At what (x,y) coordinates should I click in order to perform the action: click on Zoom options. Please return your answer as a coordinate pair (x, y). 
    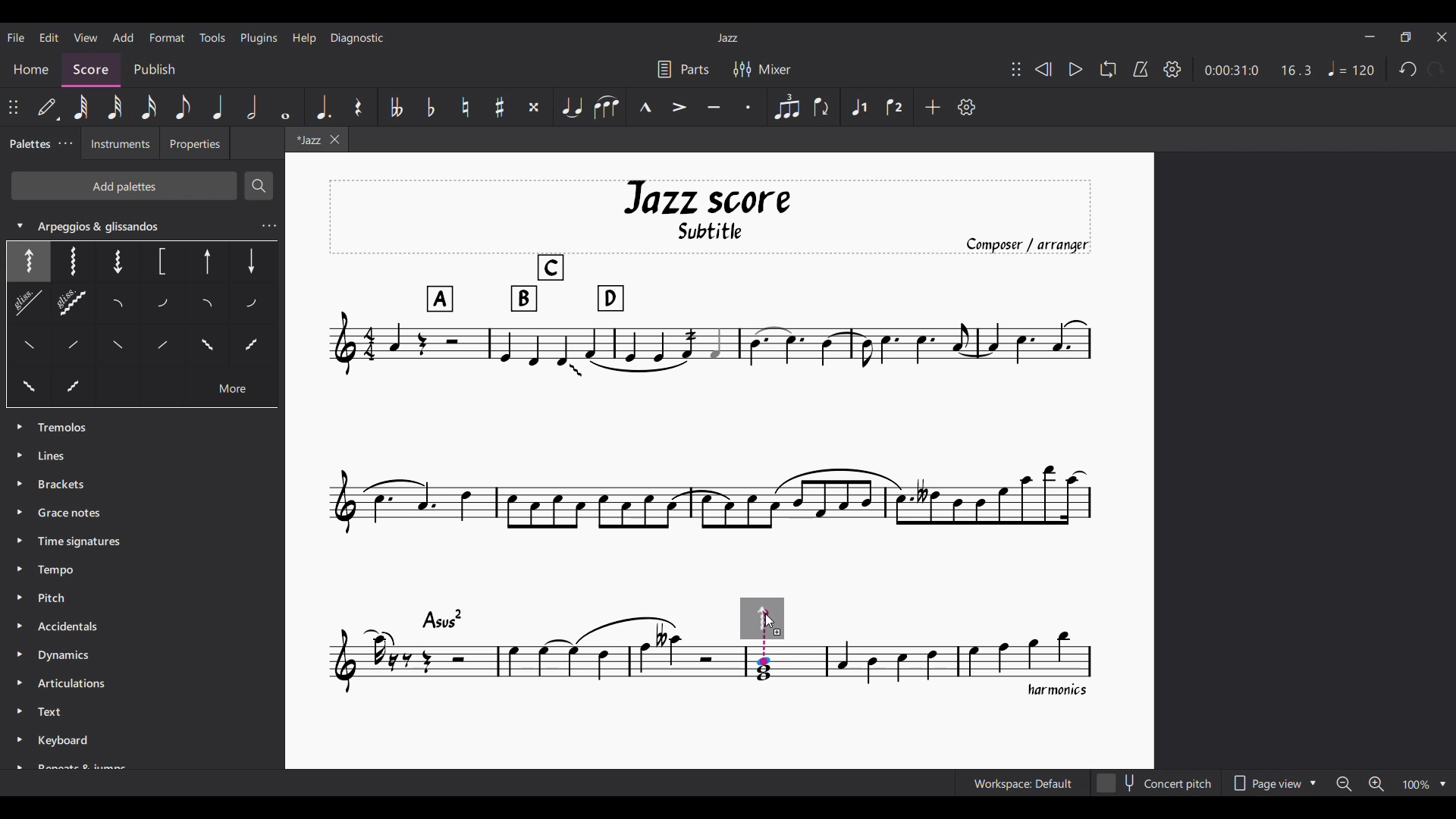
    Looking at the image, I should click on (1392, 783).